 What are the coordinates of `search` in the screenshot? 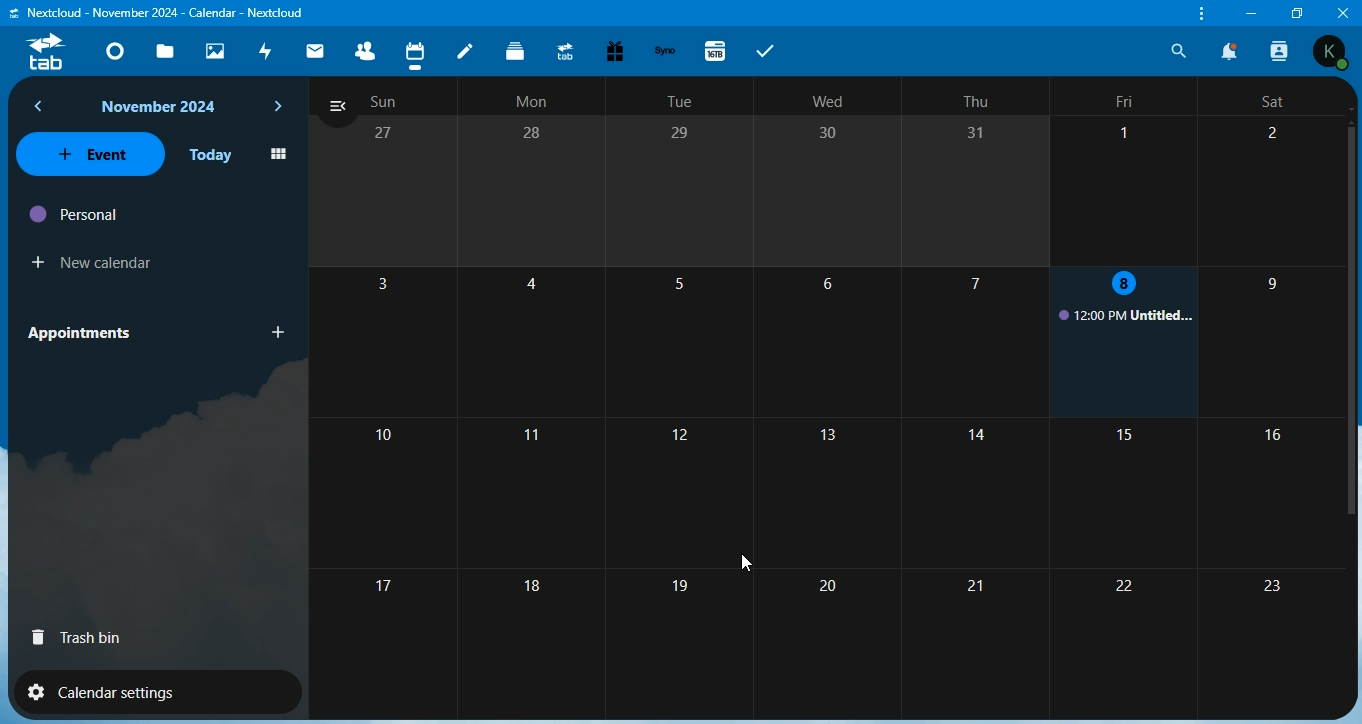 It's located at (1179, 51).